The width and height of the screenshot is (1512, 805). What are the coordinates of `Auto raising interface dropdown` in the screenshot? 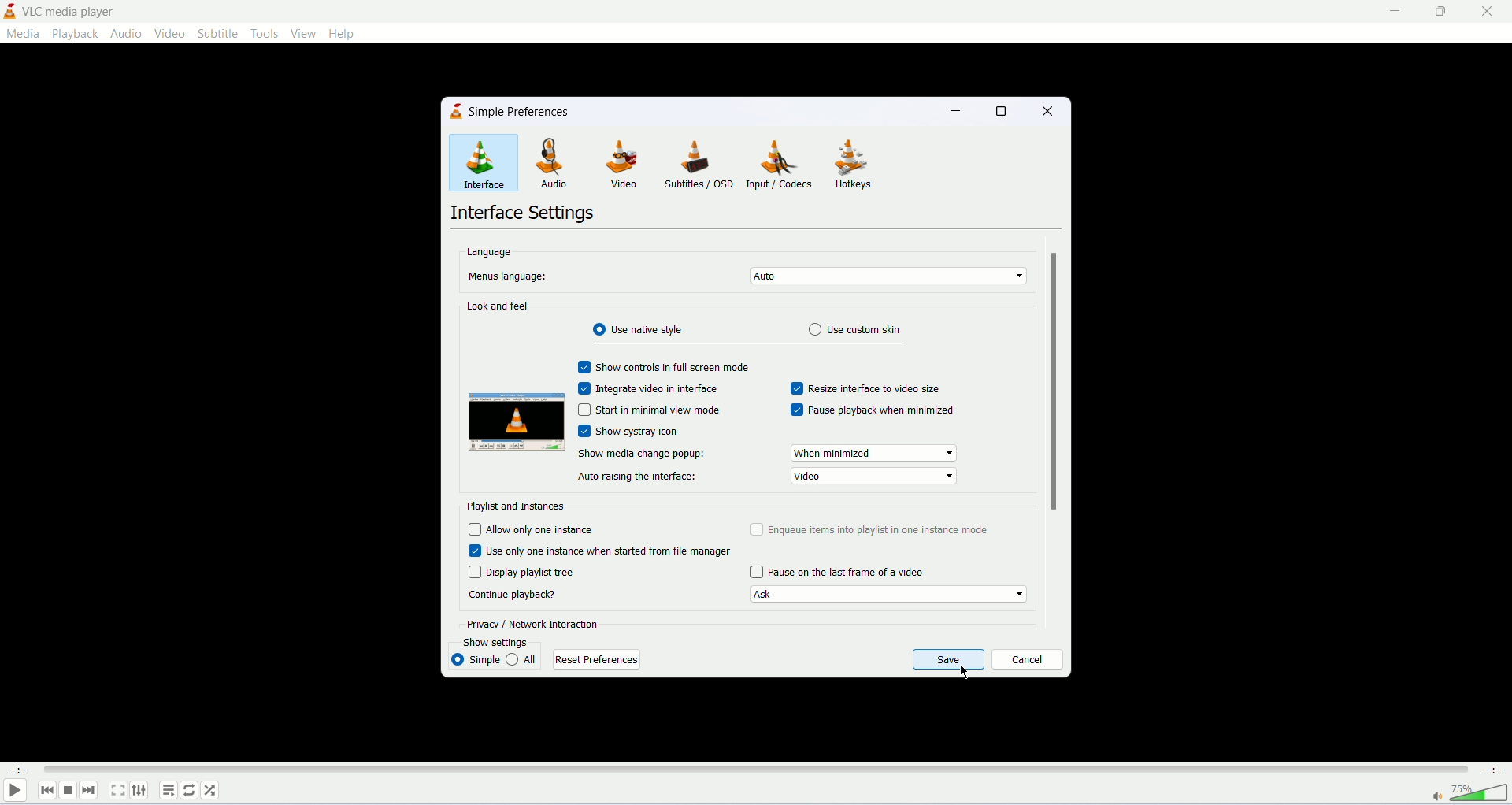 It's located at (873, 477).